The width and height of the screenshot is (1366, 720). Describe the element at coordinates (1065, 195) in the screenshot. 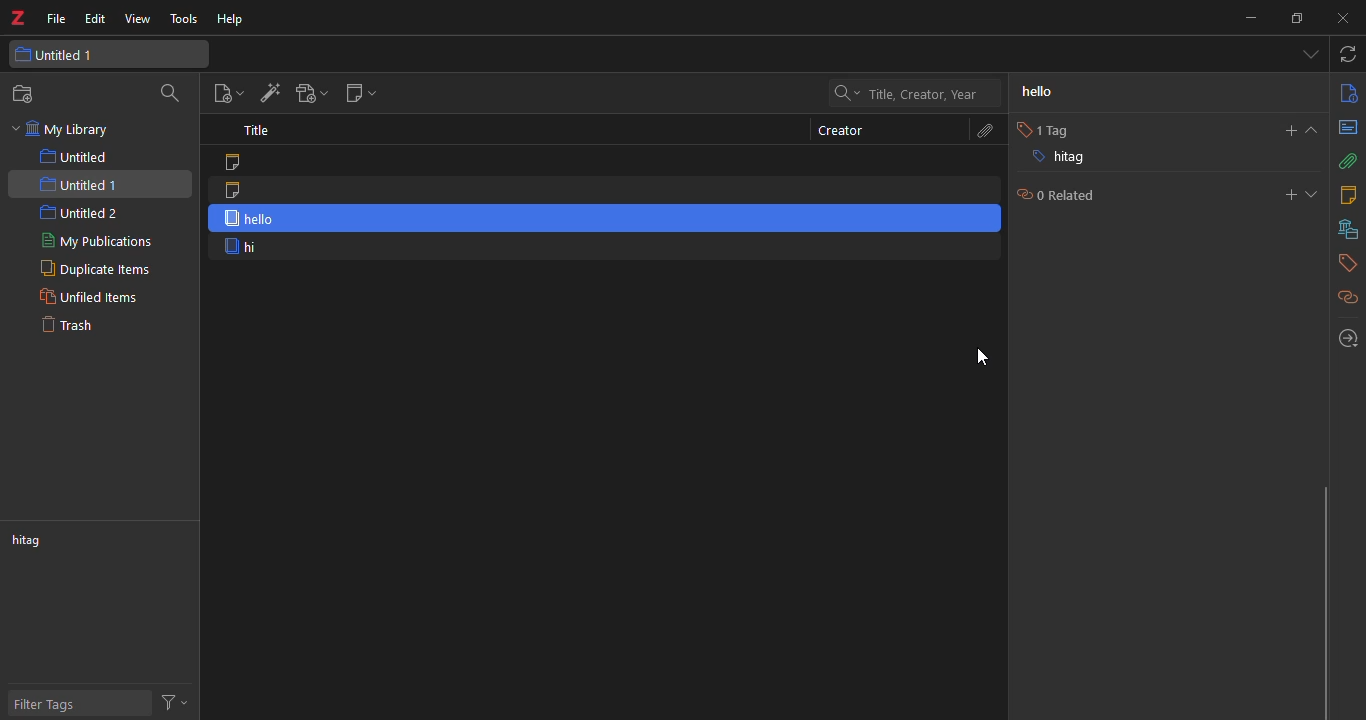

I see `0 related` at that location.